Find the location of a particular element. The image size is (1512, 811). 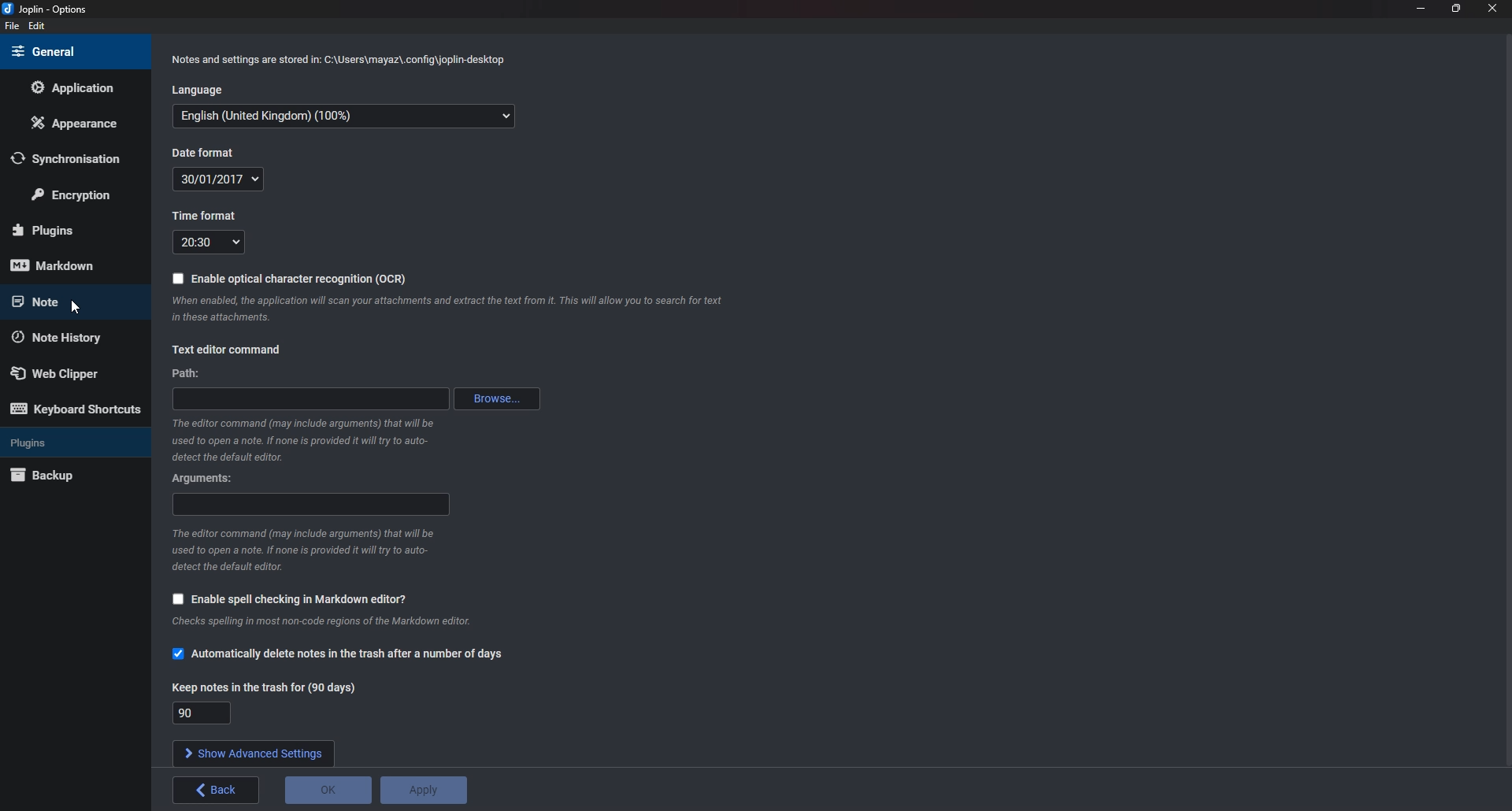

path is located at coordinates (311, 400).